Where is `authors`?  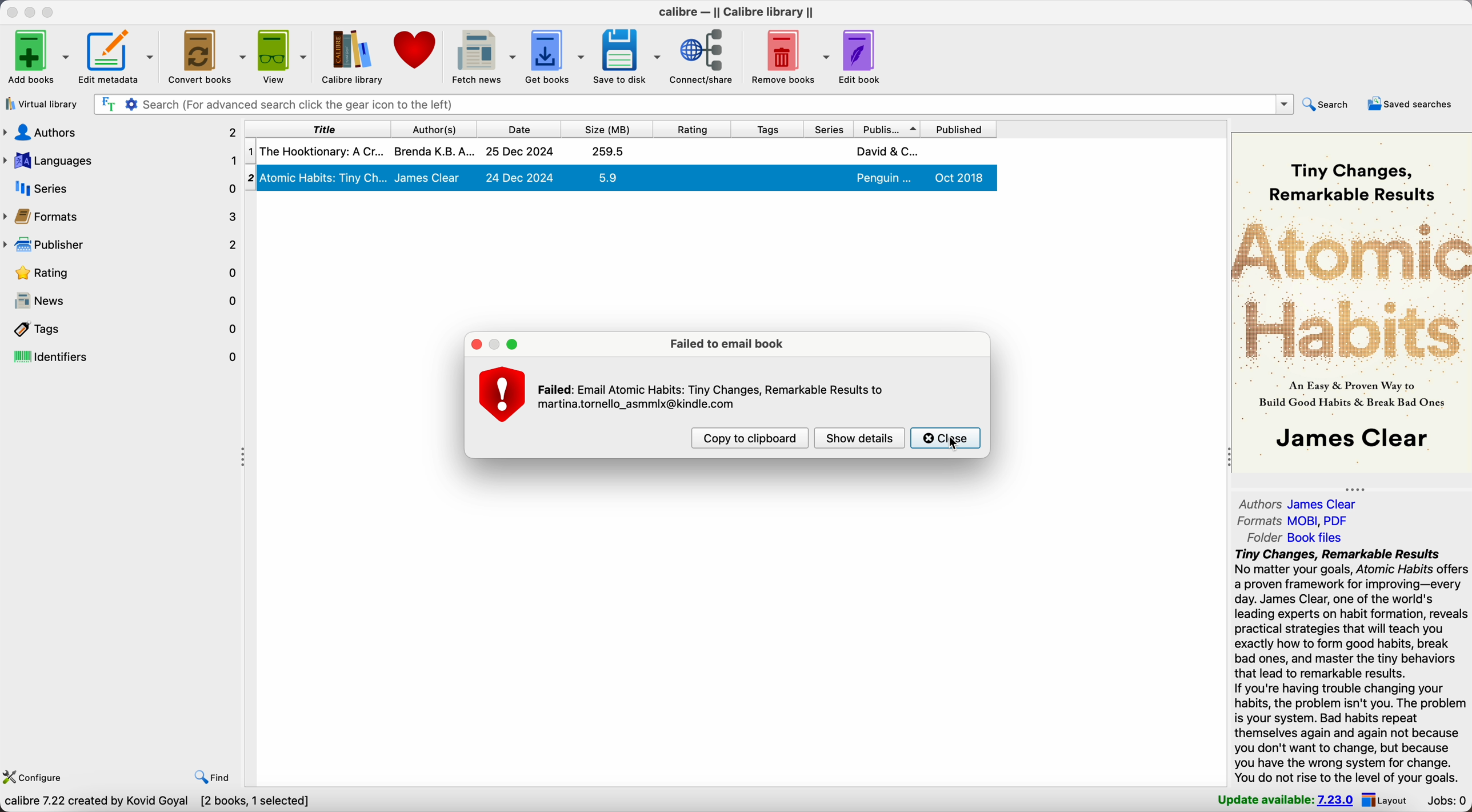
authors is located at coordinates (121, 135).